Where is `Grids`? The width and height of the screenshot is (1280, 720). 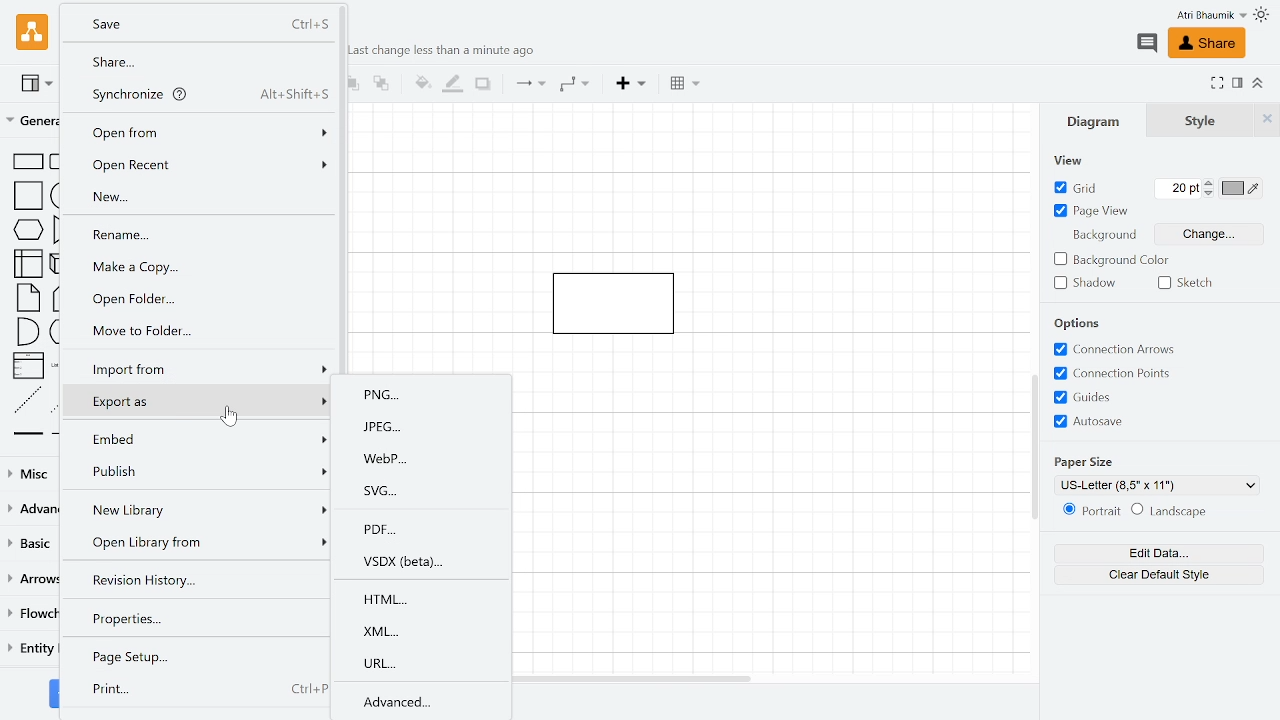
Grids is located at coordinates (1128, 398).